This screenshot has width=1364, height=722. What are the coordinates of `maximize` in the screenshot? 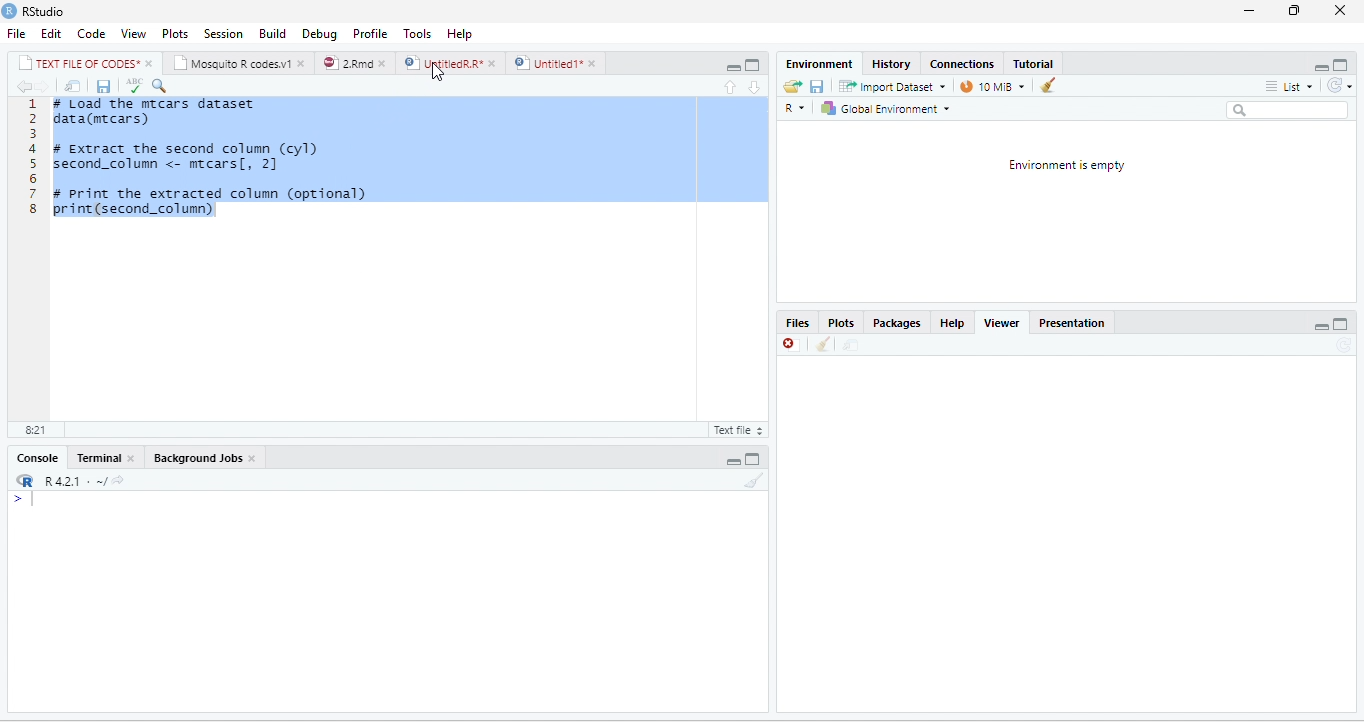 It's located at (754, 457).